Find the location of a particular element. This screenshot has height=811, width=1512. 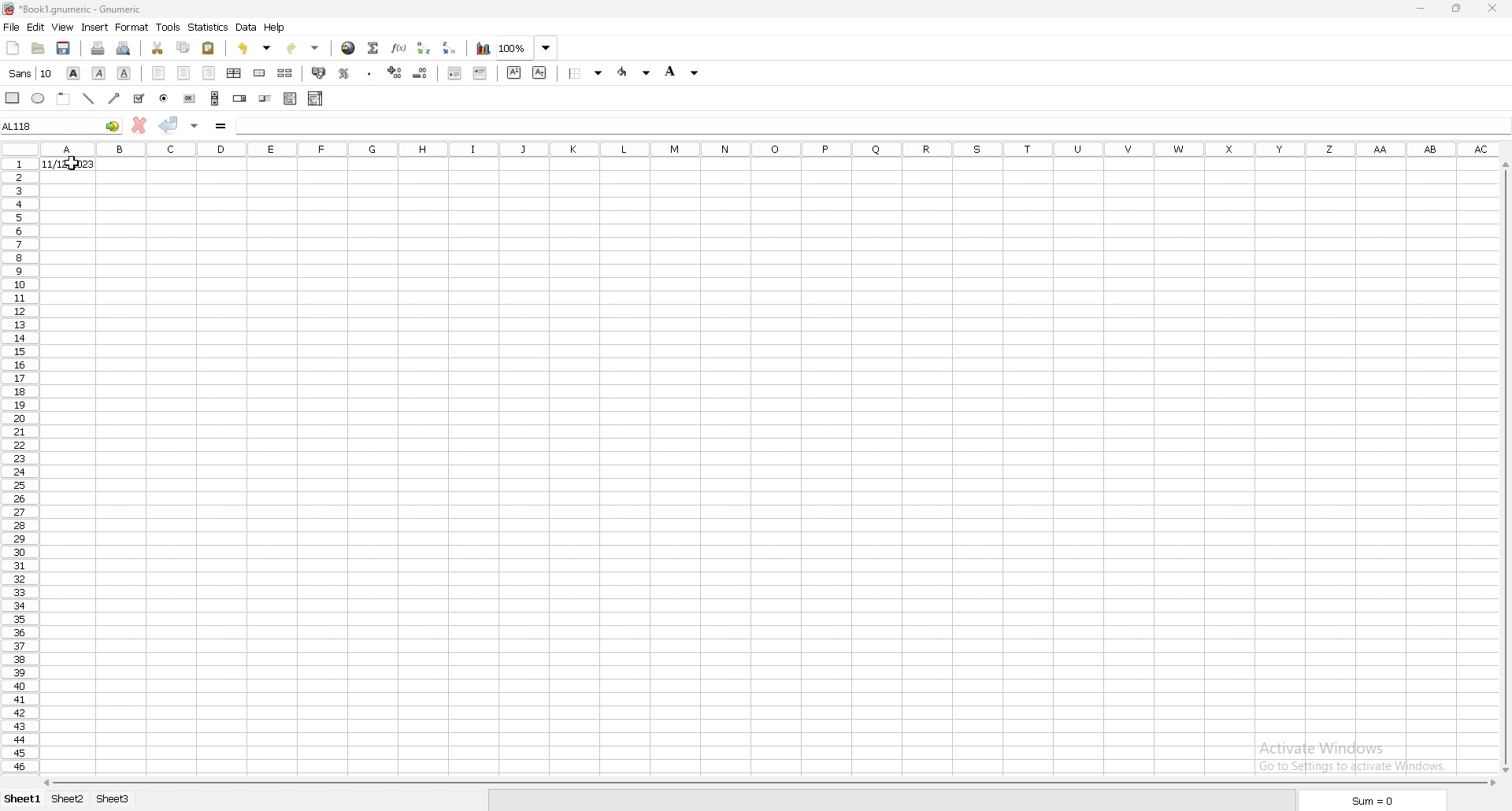

cursor is located at coordinates (73, 165).